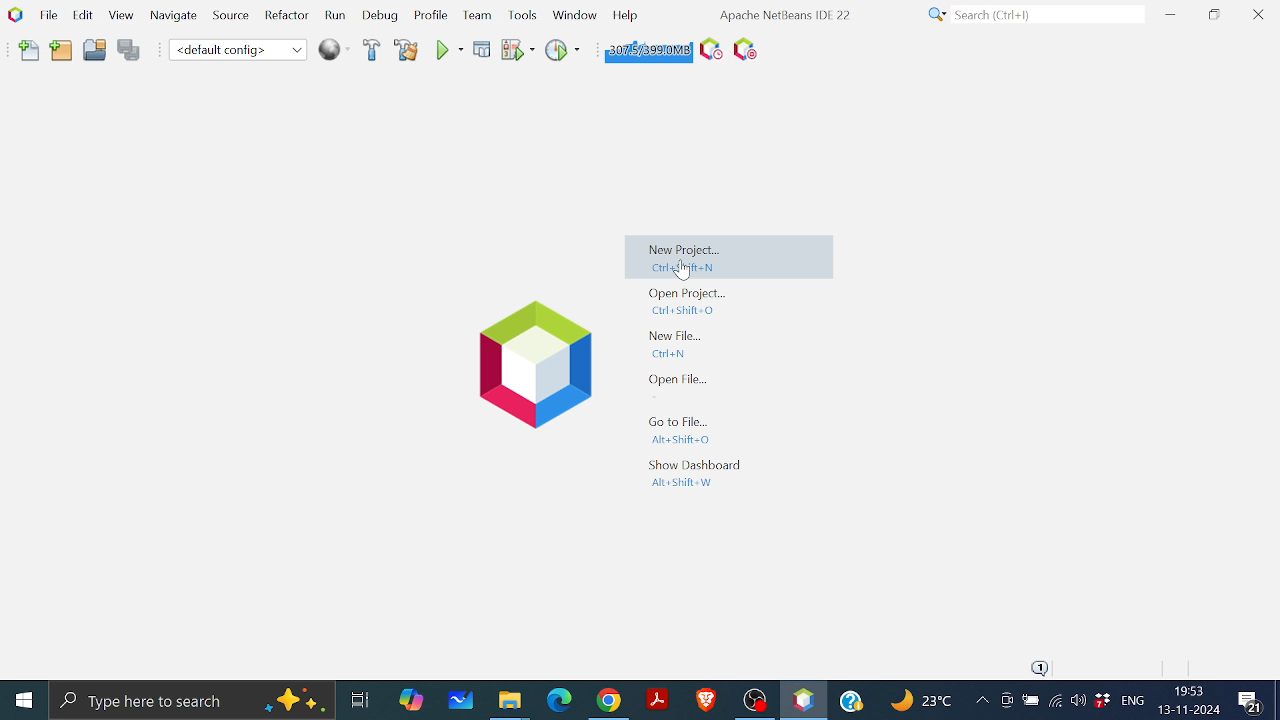  Describe the element at coordinates (744, 50) in the screenshot. I see `Stop Background Task` at that location.